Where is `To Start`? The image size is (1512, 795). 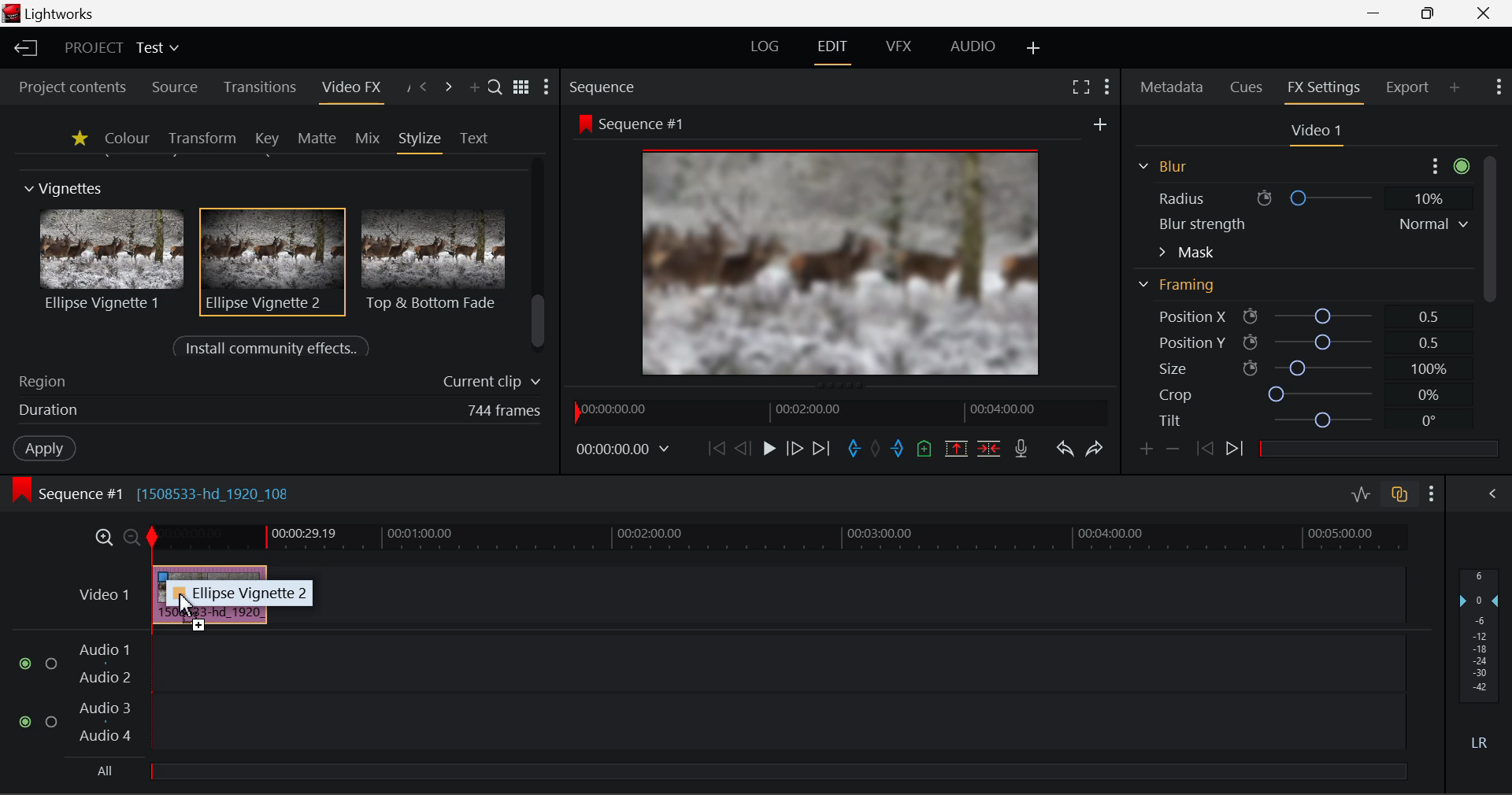
To Start is located at coordinates (714, 447).